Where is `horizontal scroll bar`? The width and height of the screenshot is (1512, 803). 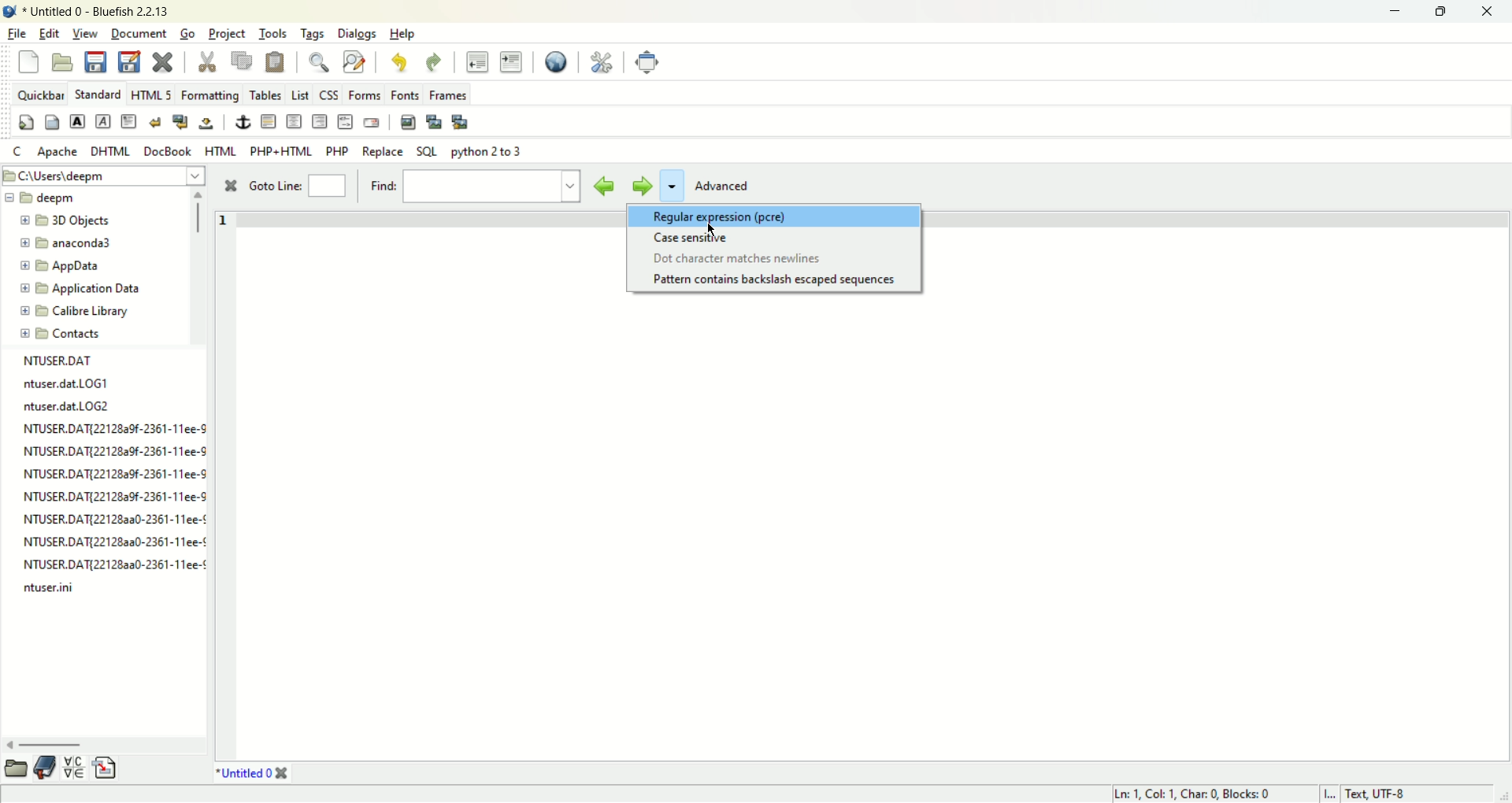 horizontal scroll bar is located at coordinates (50, 746).